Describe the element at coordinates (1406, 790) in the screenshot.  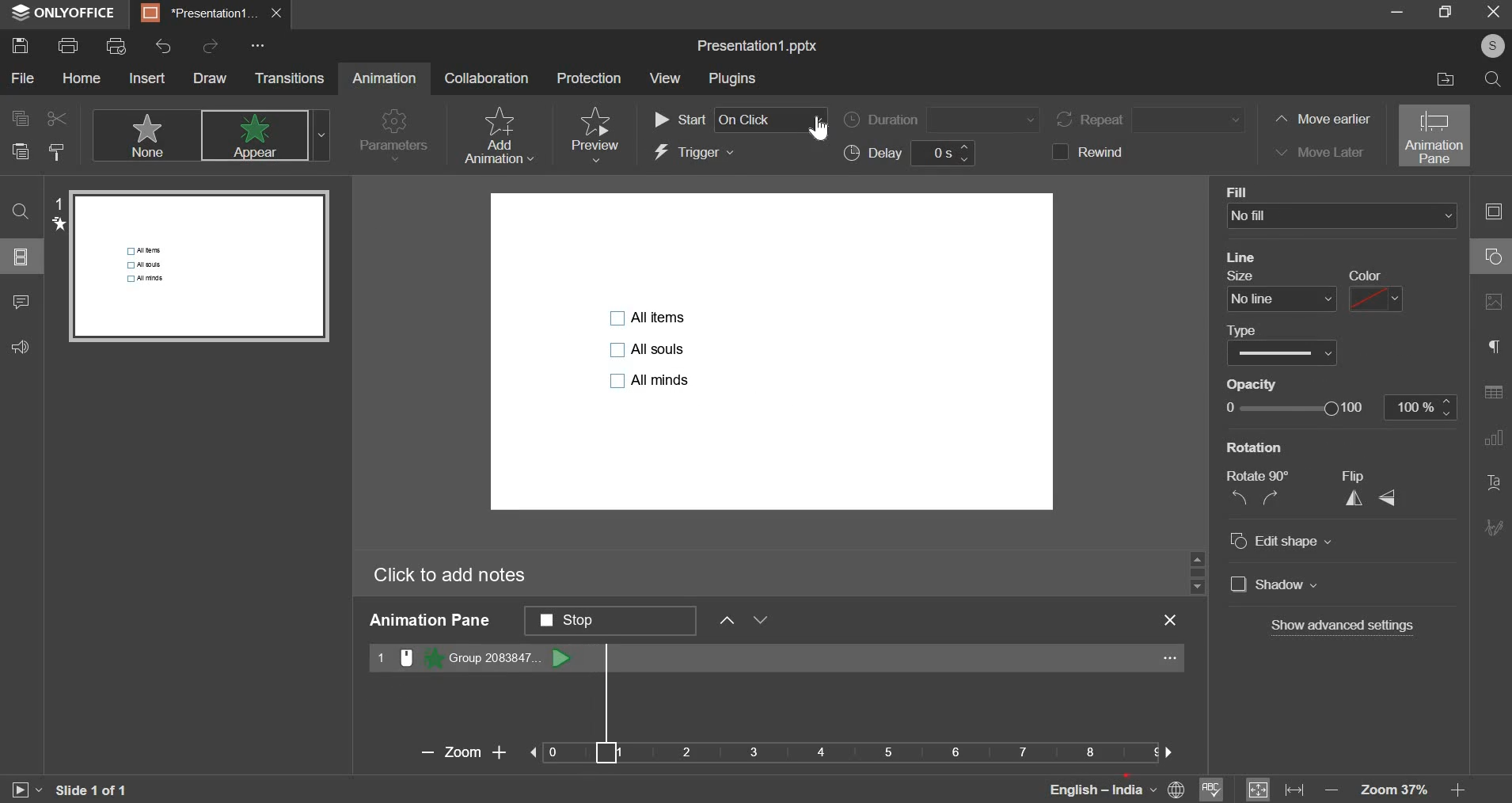
I see `zoom` at that location.